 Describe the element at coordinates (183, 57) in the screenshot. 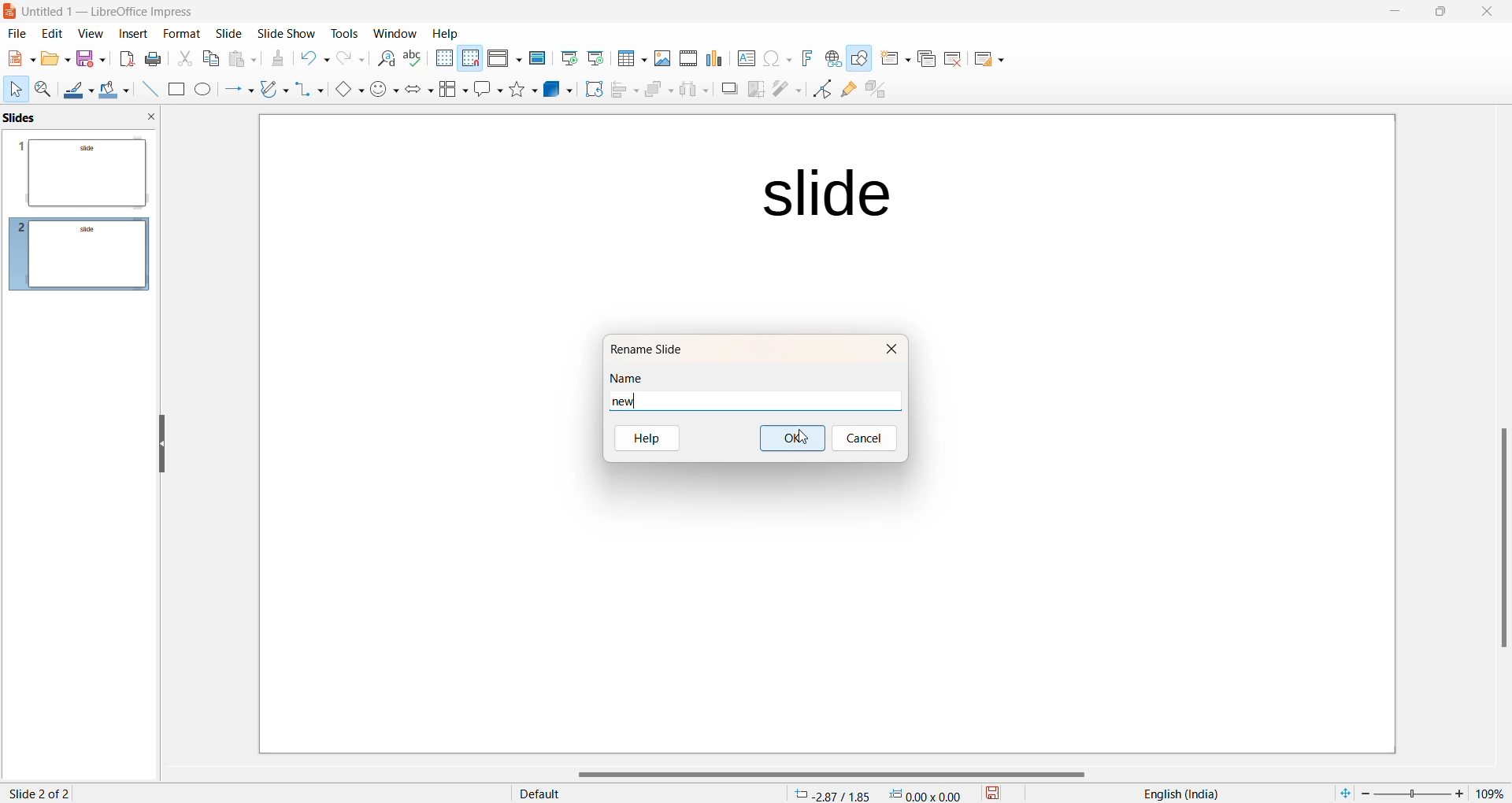

I see `Cut` at that location.